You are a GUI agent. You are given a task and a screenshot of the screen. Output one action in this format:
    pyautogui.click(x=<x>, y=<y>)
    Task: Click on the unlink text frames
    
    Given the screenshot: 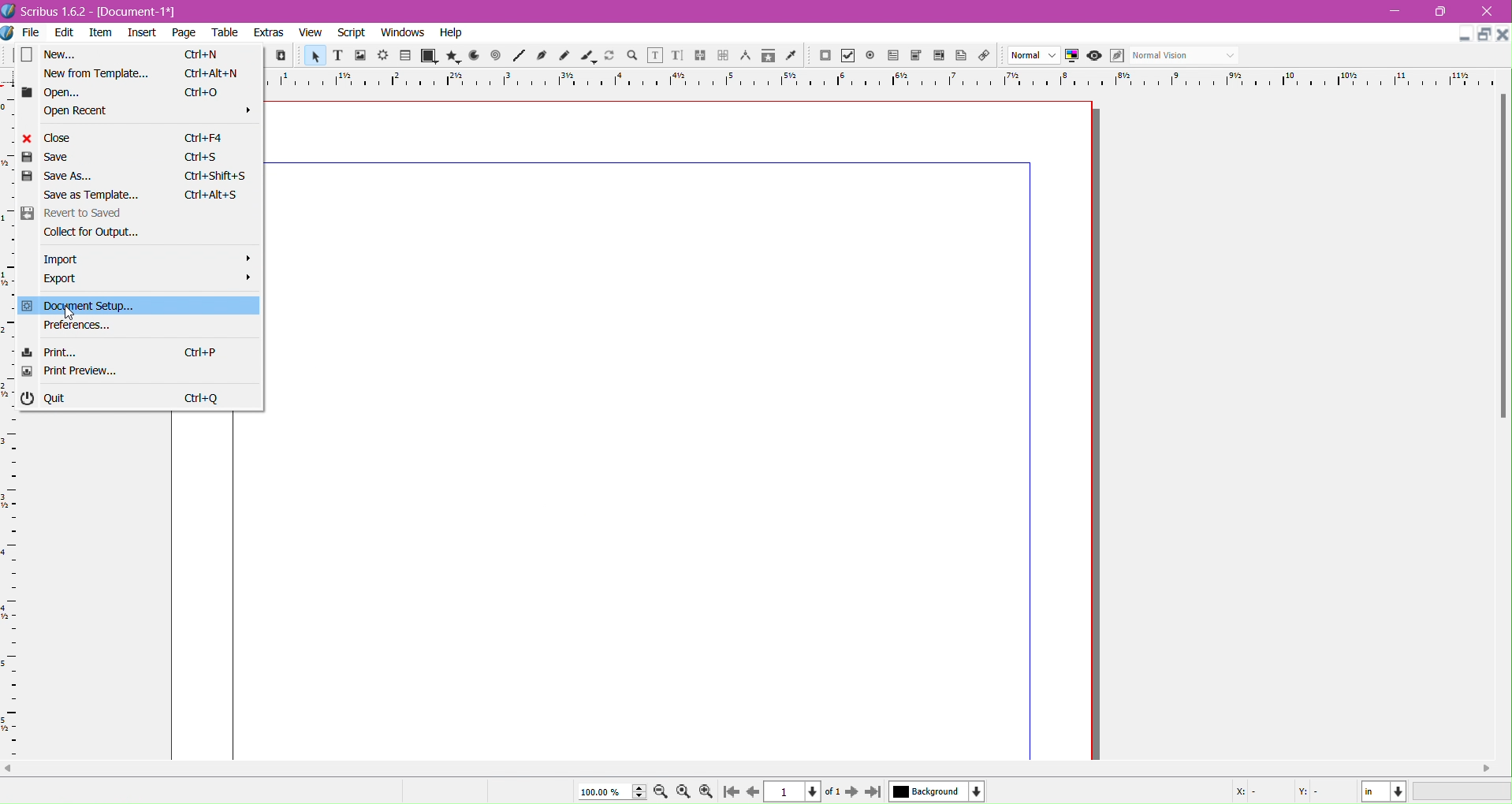 What is the action you would take?
    pyautogui.click(x=723, y=56)
    